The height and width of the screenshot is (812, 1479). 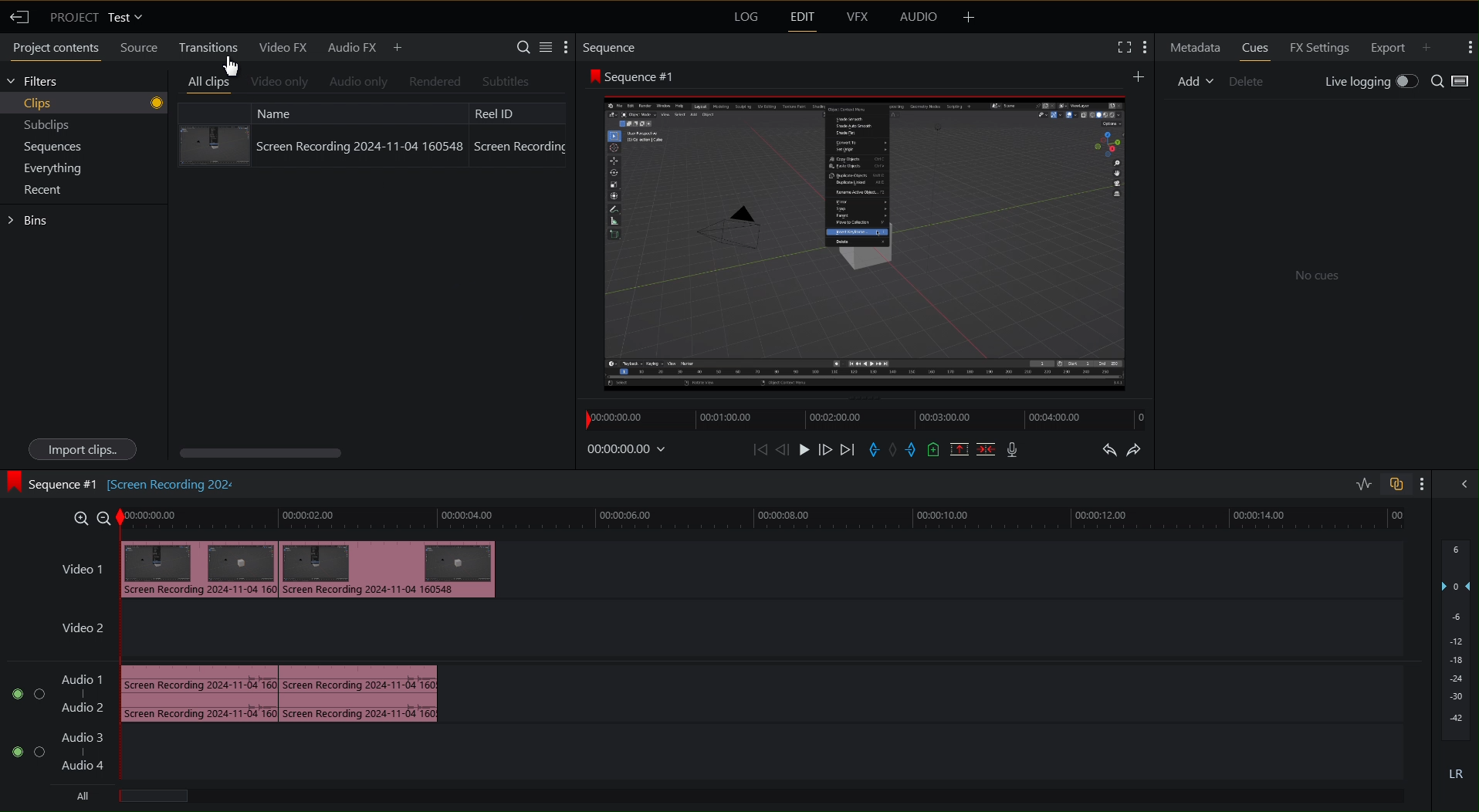 I want to click on Cursor, so click(x=225, y=65).